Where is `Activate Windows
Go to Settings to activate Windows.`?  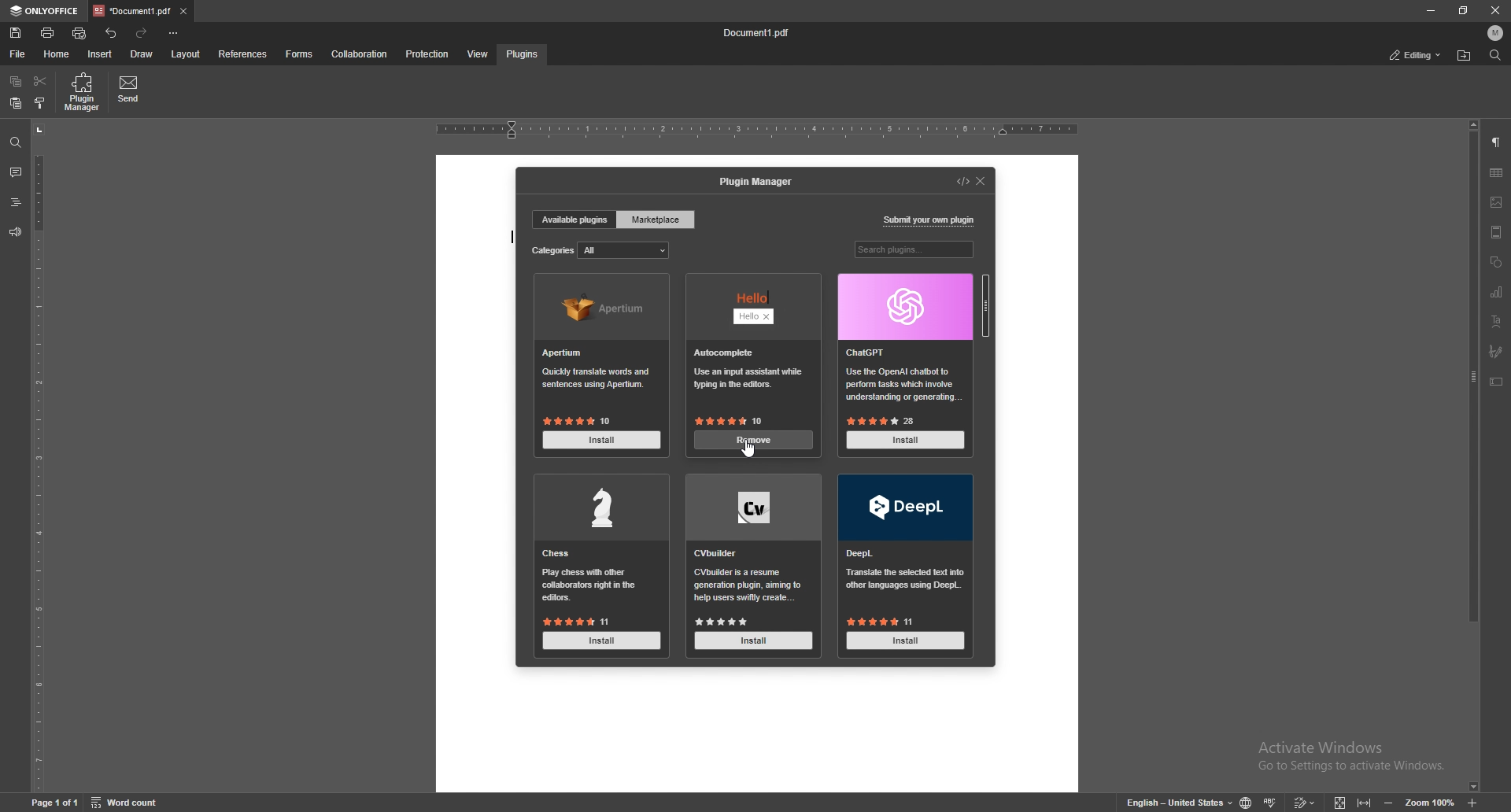
Activate Windows
Go to Settings to activate Windows. is located at coordinates (1350, 755).